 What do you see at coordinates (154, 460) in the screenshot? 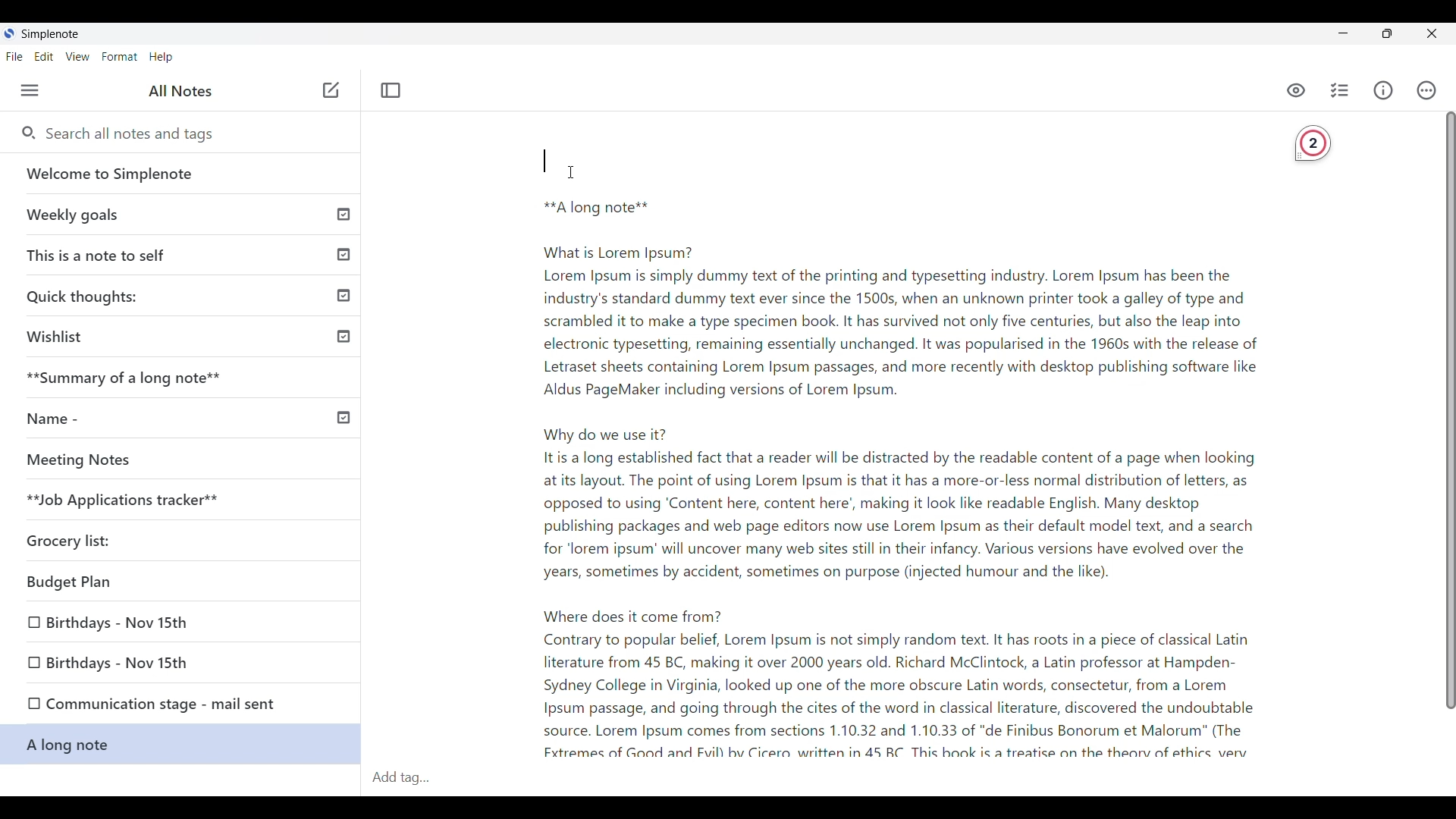
I see `Meeting notes` at bounding box center [154, 460].